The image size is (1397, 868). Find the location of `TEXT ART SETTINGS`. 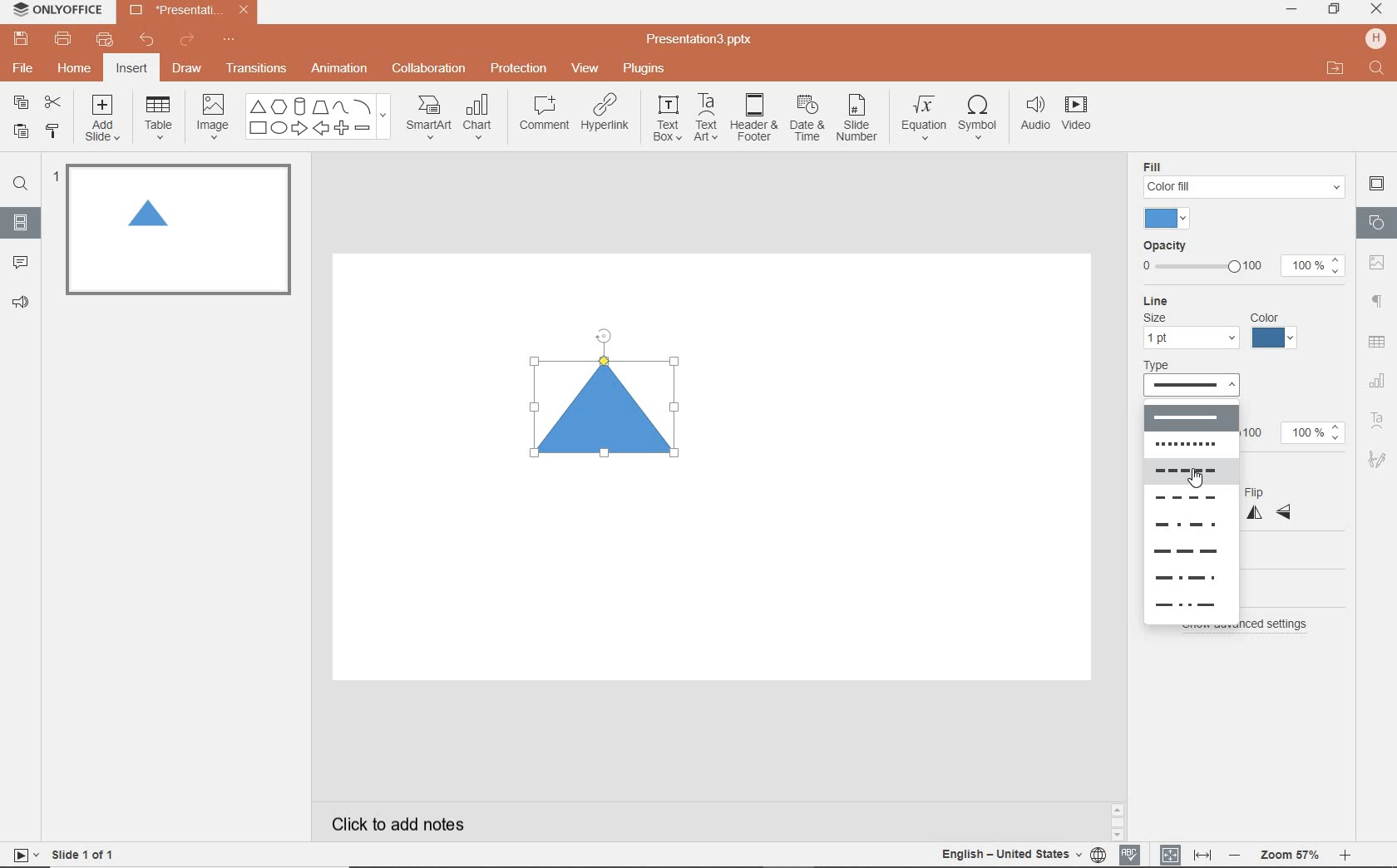

TEXT ART SETTINGS is located at coordinates (1378, 422).